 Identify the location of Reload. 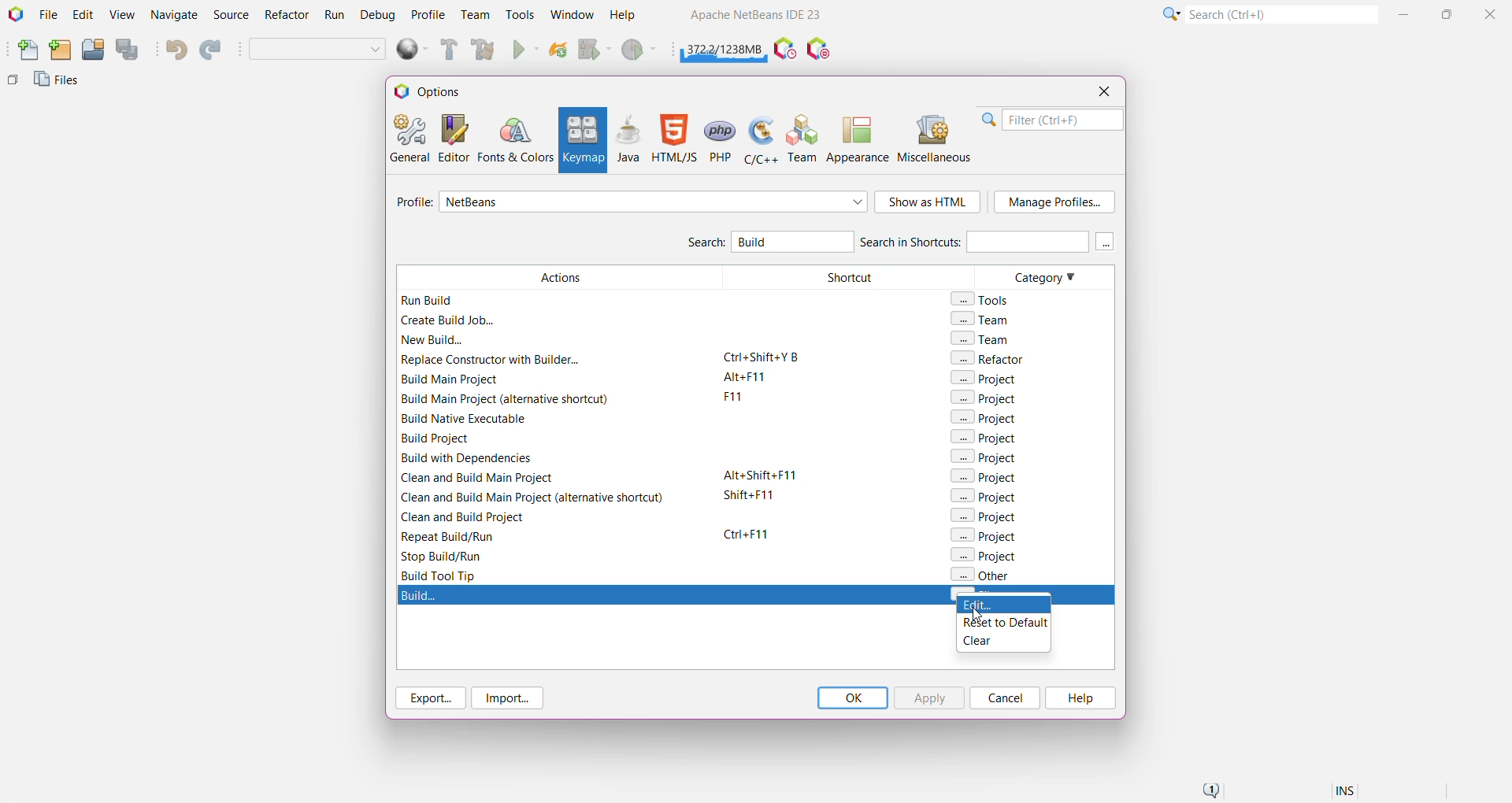
(558, 51).